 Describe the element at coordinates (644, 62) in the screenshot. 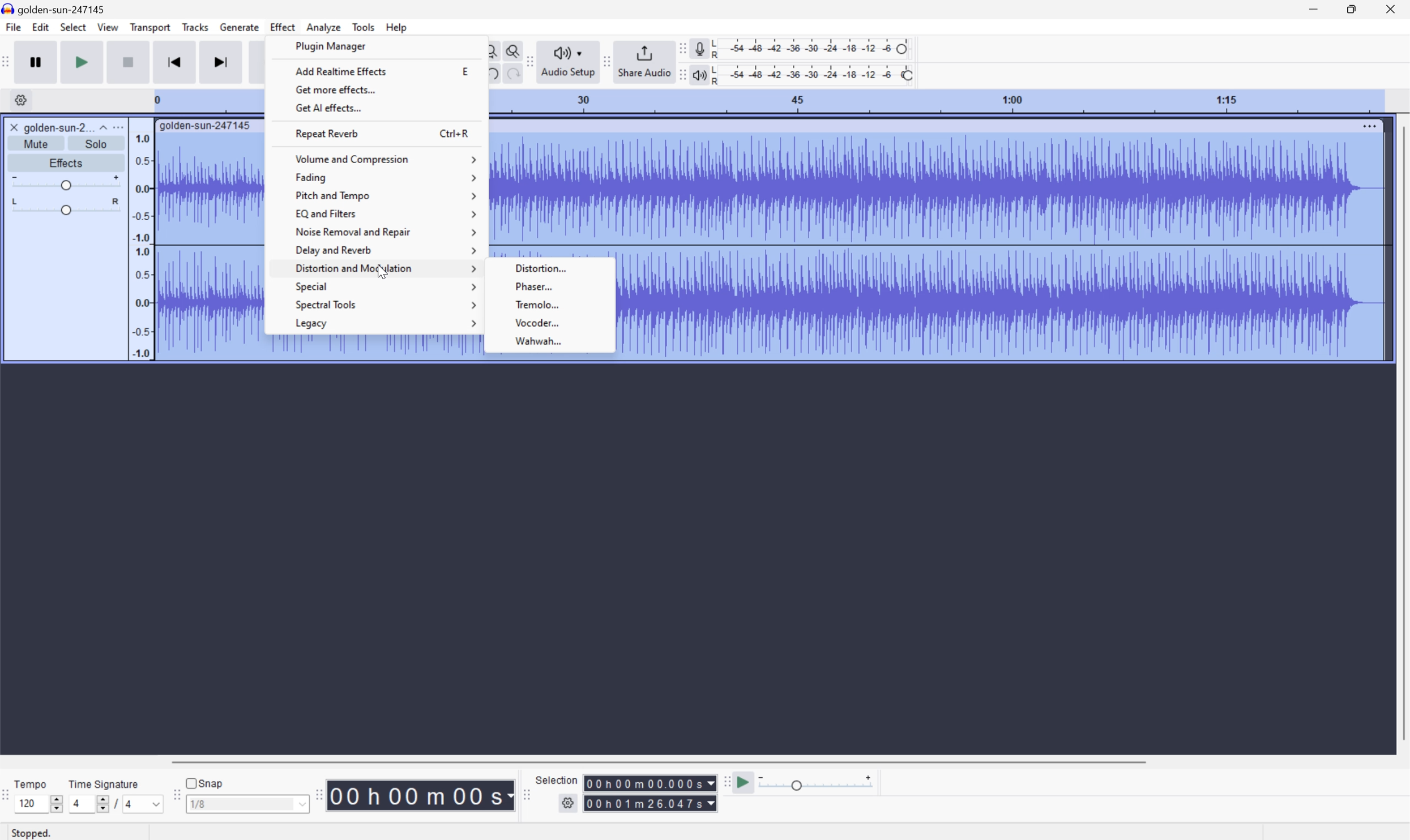

I see `Share audio` at that location.